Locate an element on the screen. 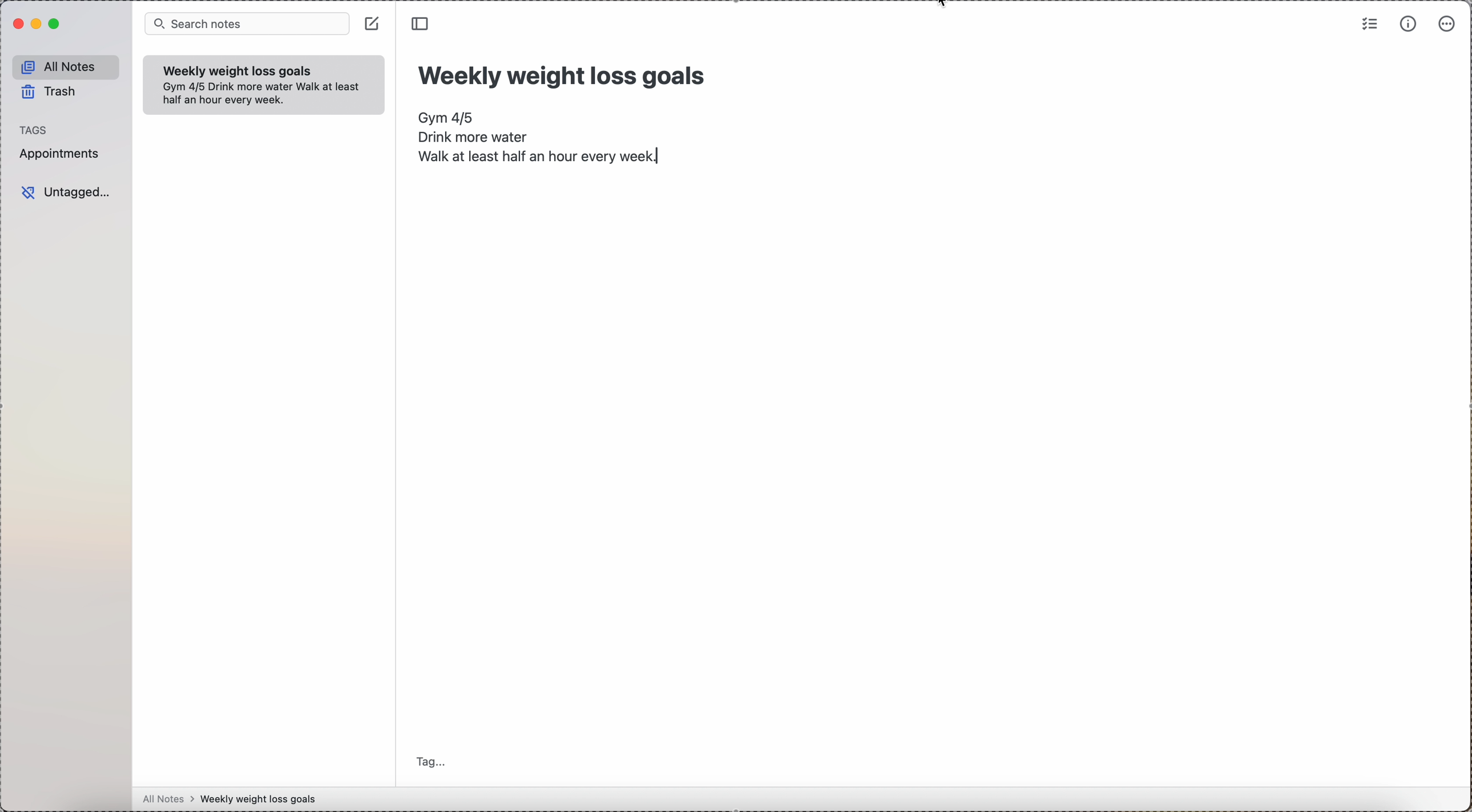 The width and height of the screenshot is (1472, 812). more options is located at coordinates (1449, 23).